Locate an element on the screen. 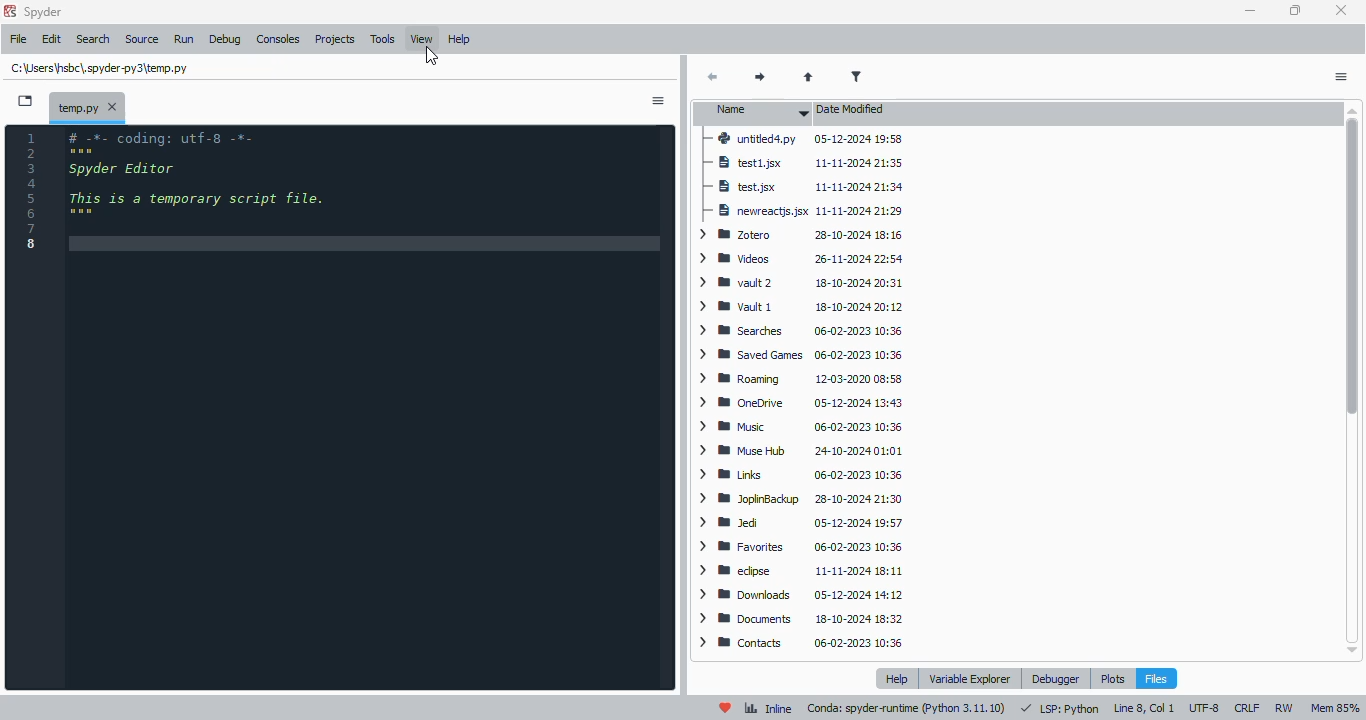  back is located at coordinates (714, 77).